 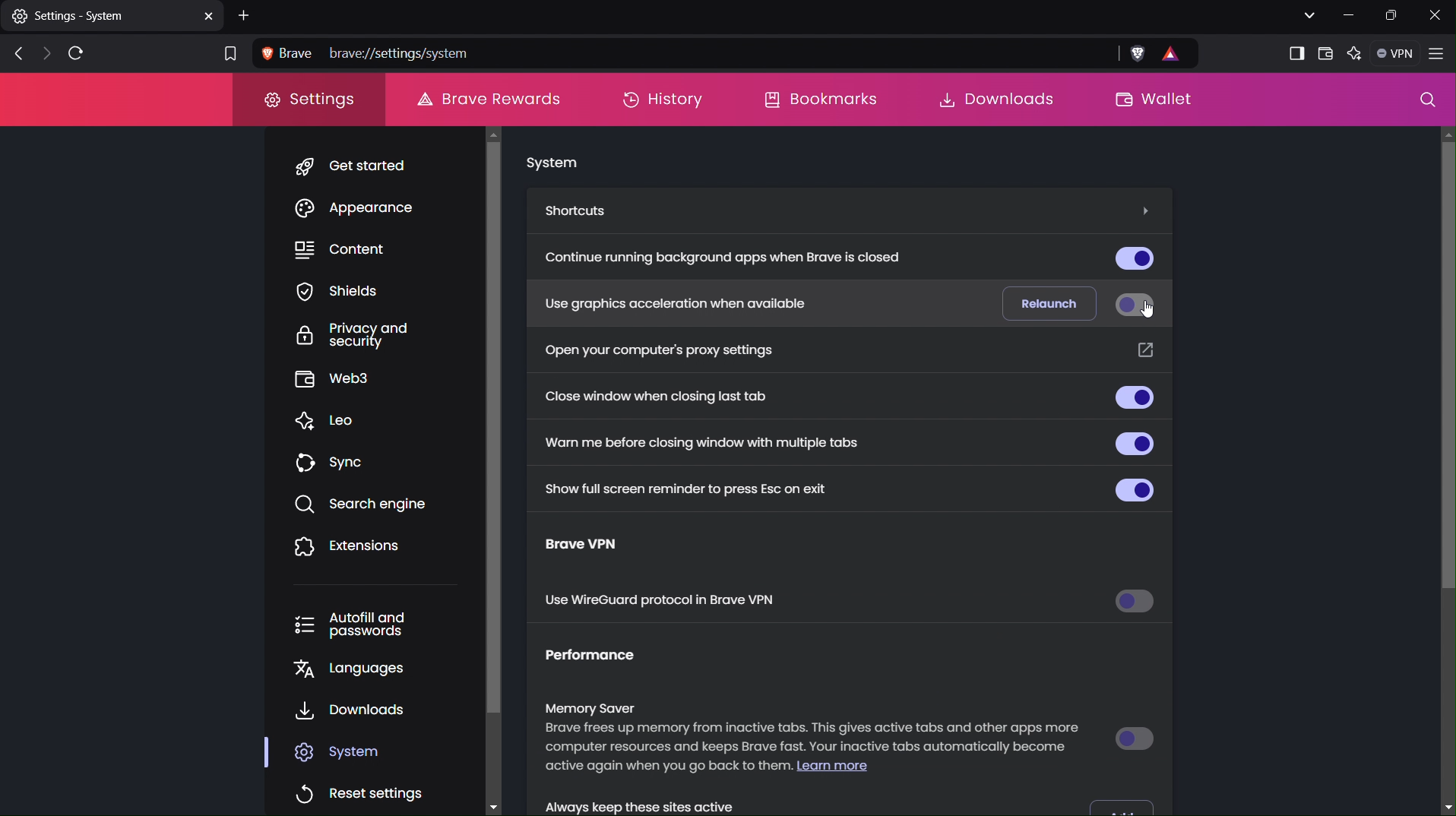 What do you see at coordinates (1393, 53) in the screenshot?
I see `VPN` at bounding box center [1393, 53].